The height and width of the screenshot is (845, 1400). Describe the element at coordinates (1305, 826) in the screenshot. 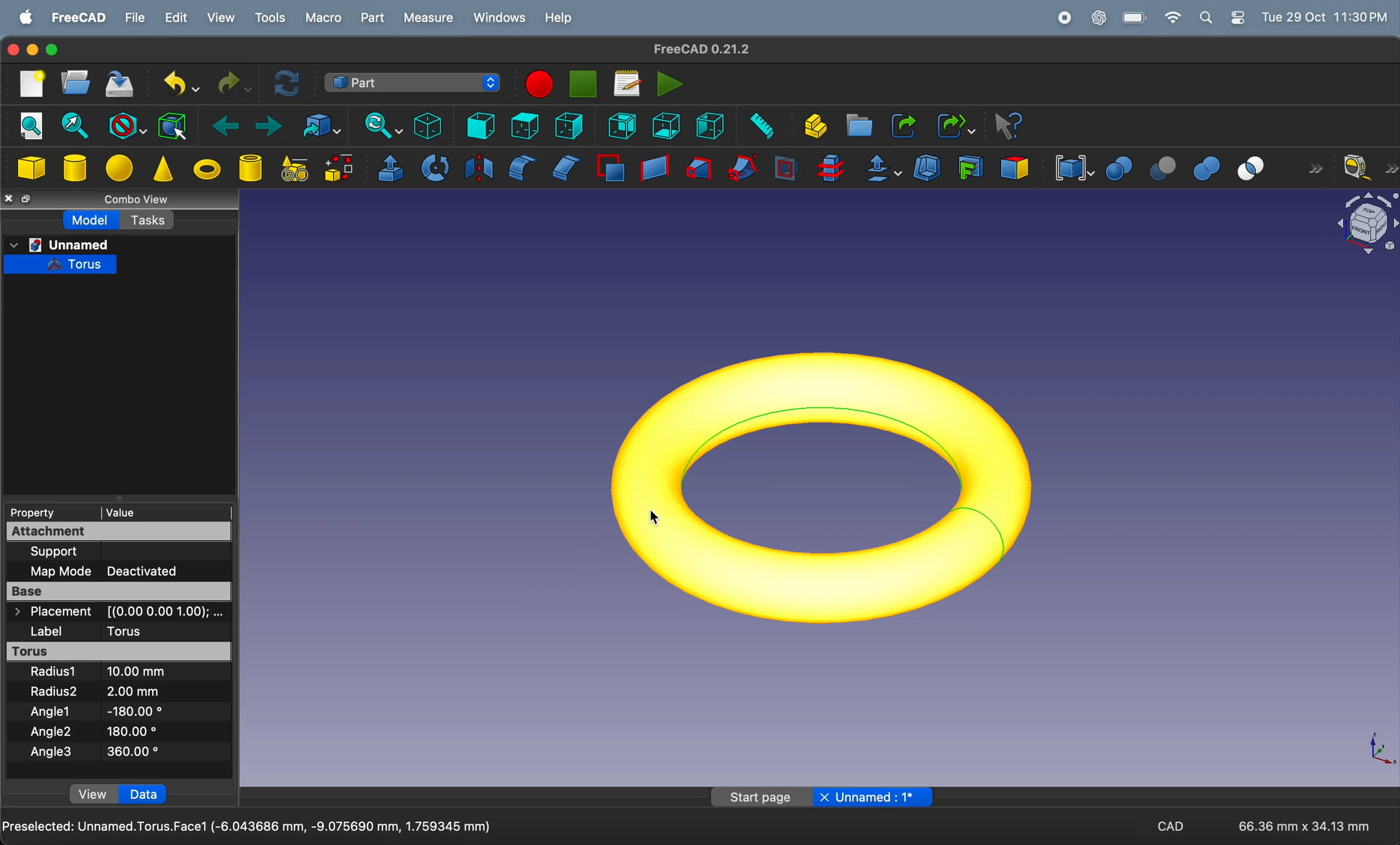

I see `66.36 mm * 34.13 mm` at that location.